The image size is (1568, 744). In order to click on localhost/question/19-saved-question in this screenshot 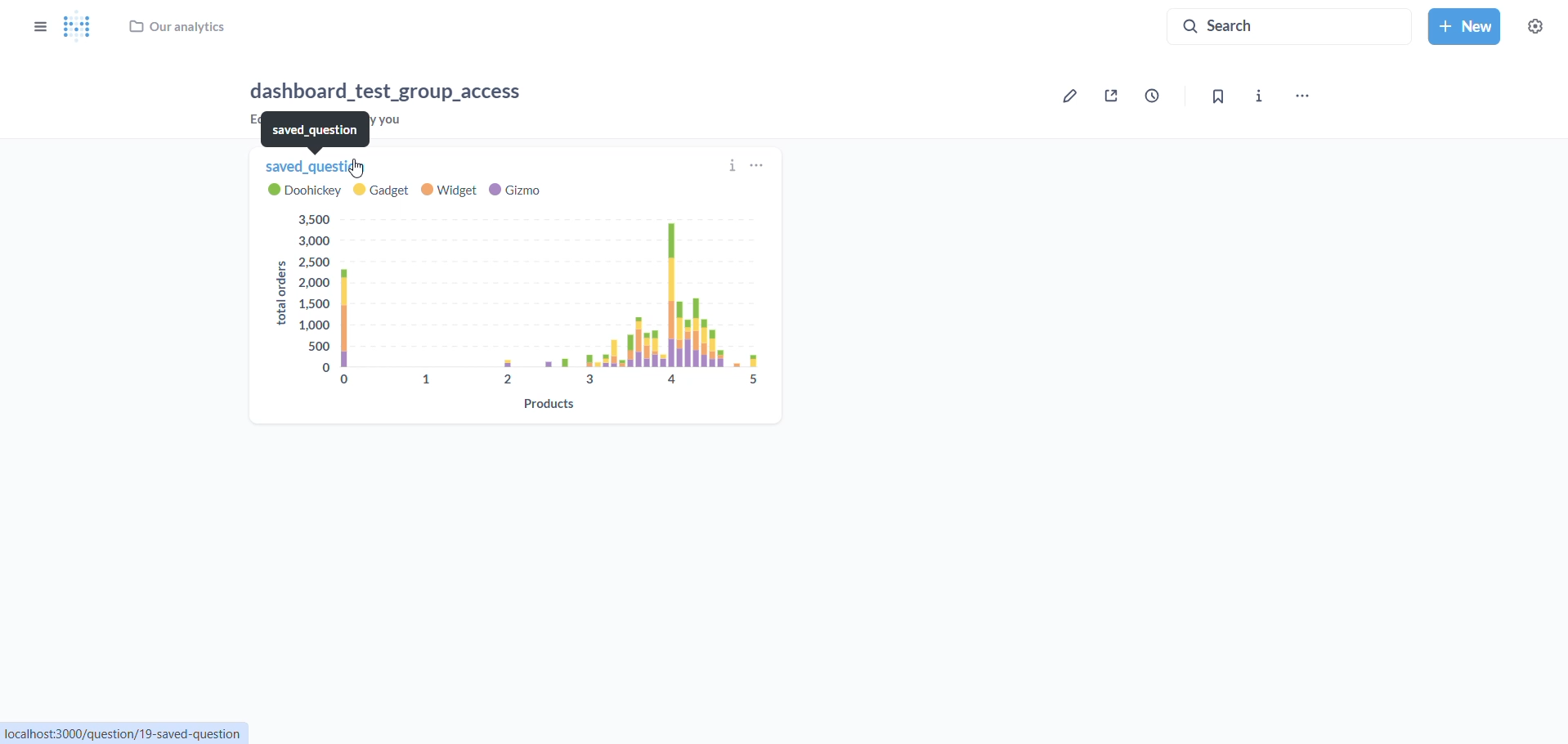, I will do `click(125, 733)`.